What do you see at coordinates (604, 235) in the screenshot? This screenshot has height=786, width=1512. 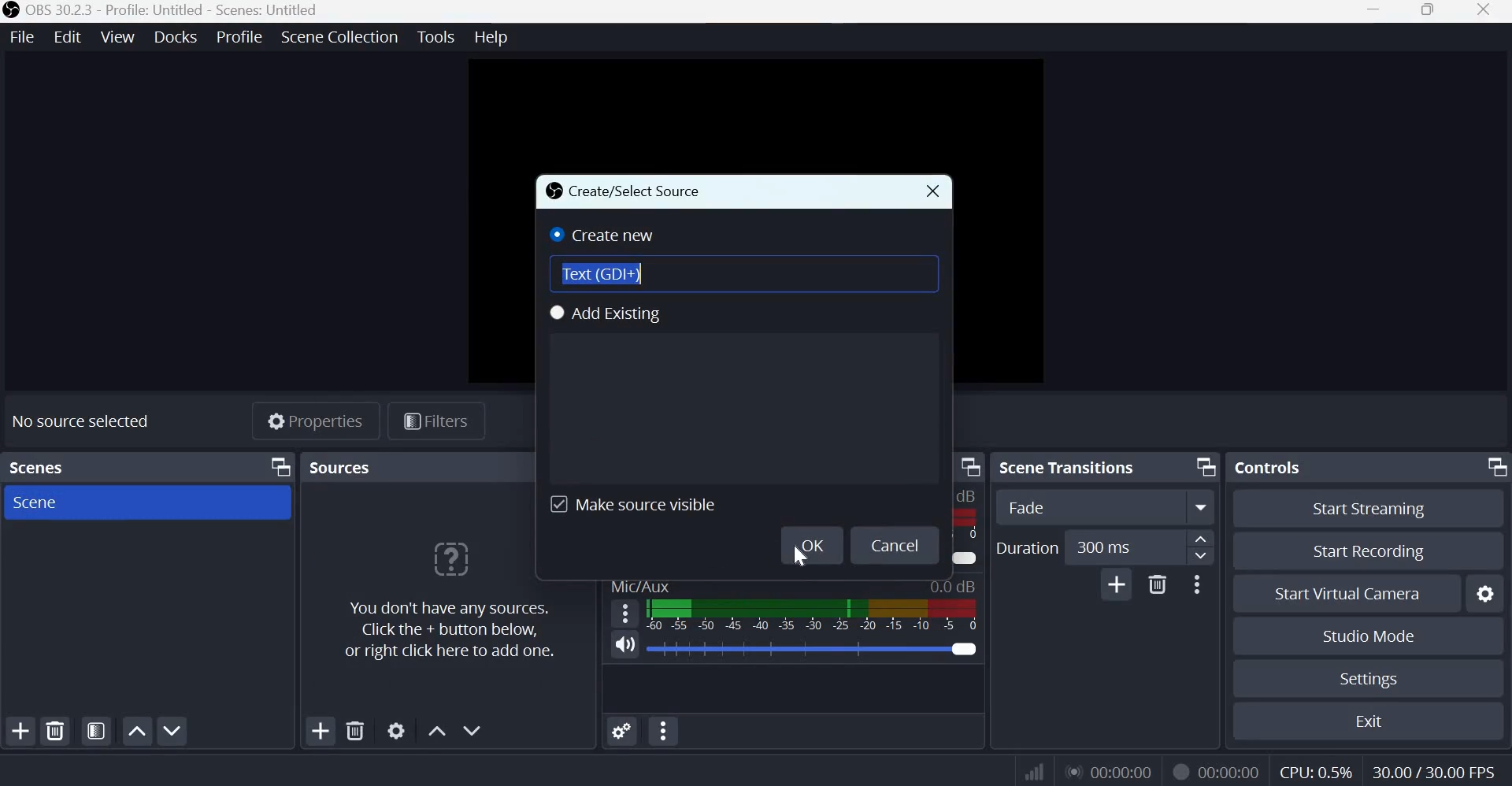 I see `Create new` at bounding box center [604, 235].